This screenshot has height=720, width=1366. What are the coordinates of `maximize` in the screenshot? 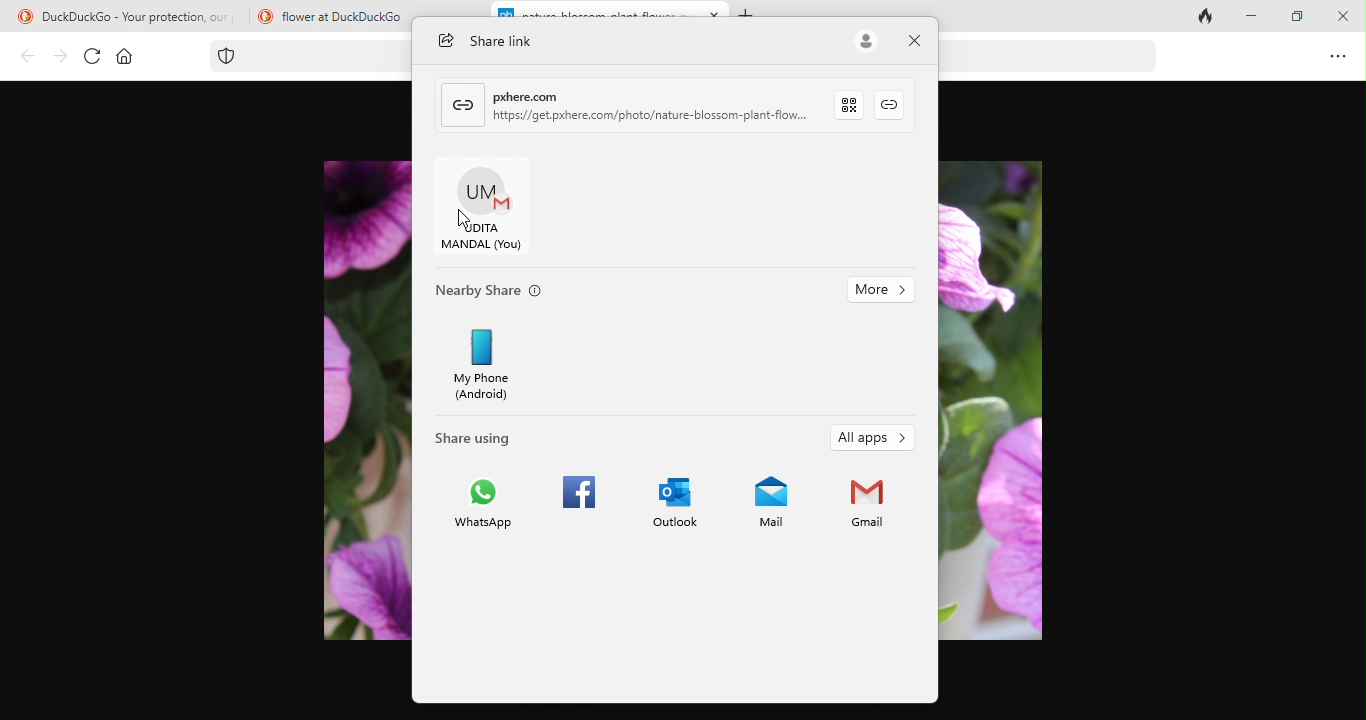 It's located at (1293, 21).